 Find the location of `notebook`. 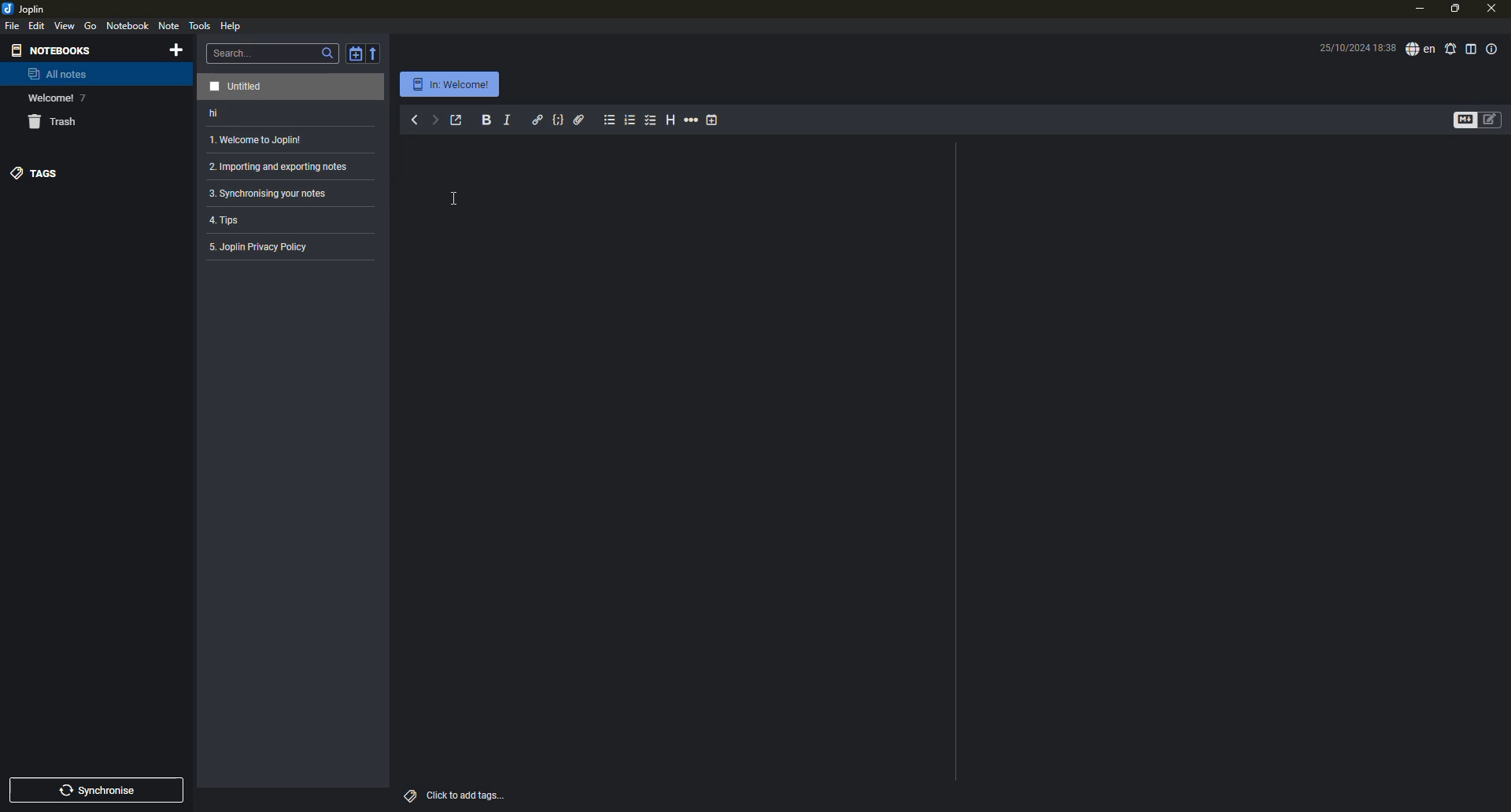

notebook is located at coordinates (128, 26).